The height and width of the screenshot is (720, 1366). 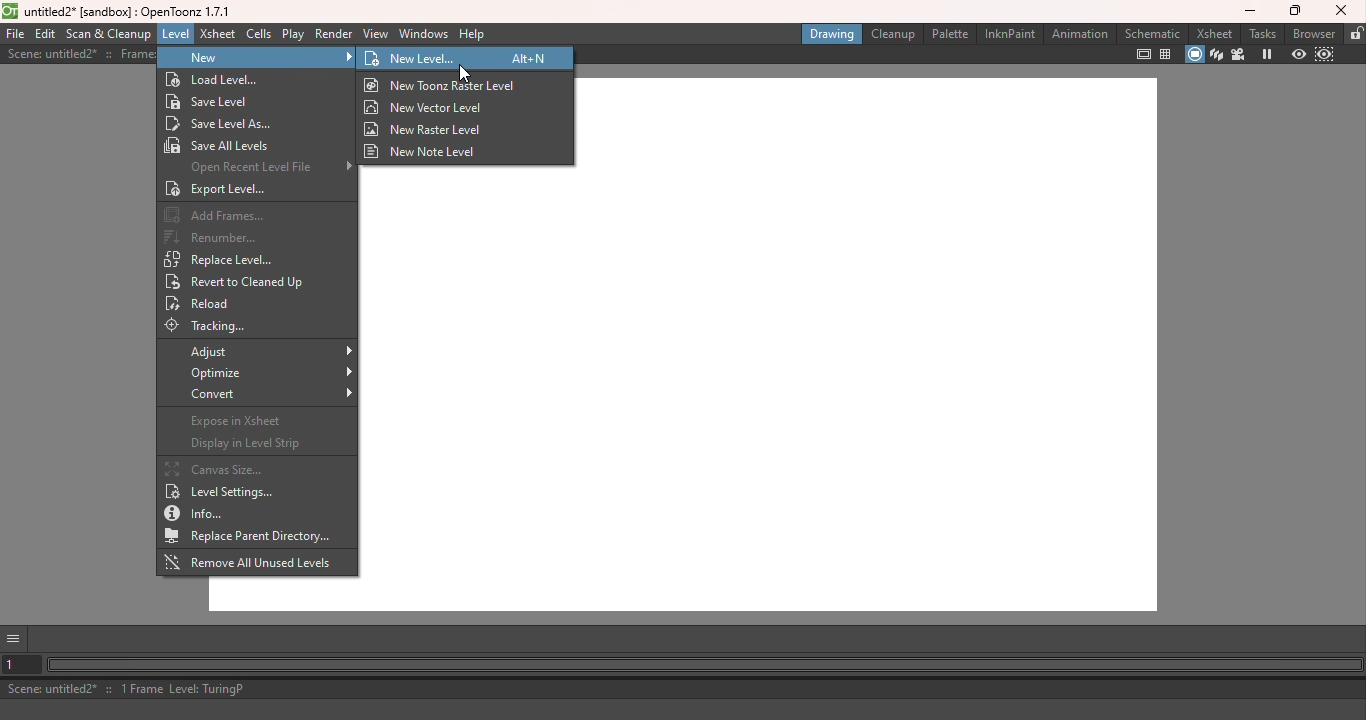 I want to click on File name, so click(x=116, y=11).